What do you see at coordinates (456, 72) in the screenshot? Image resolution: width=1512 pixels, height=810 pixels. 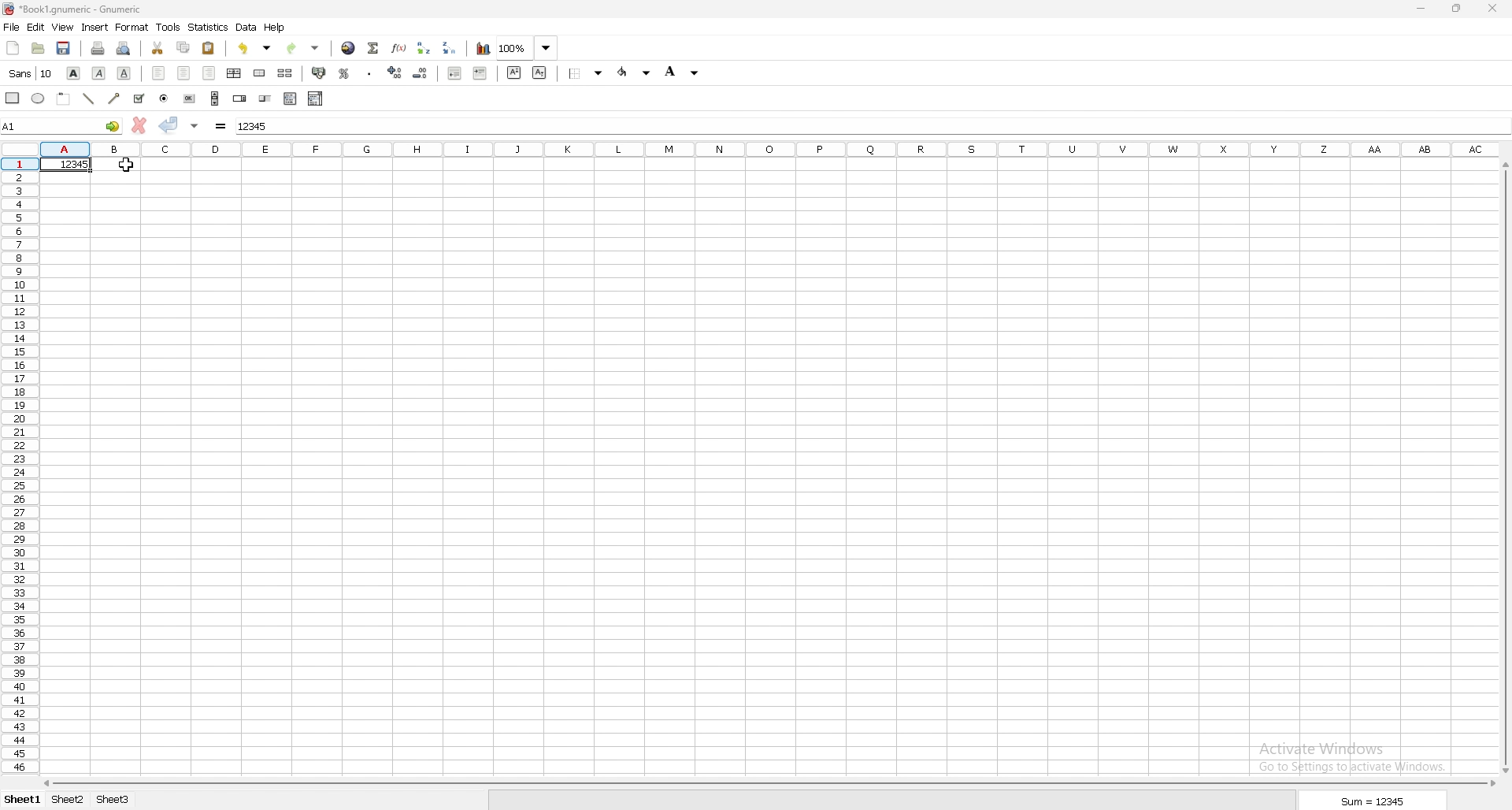 I see `decrease indent` at bounding box center [456, 72].